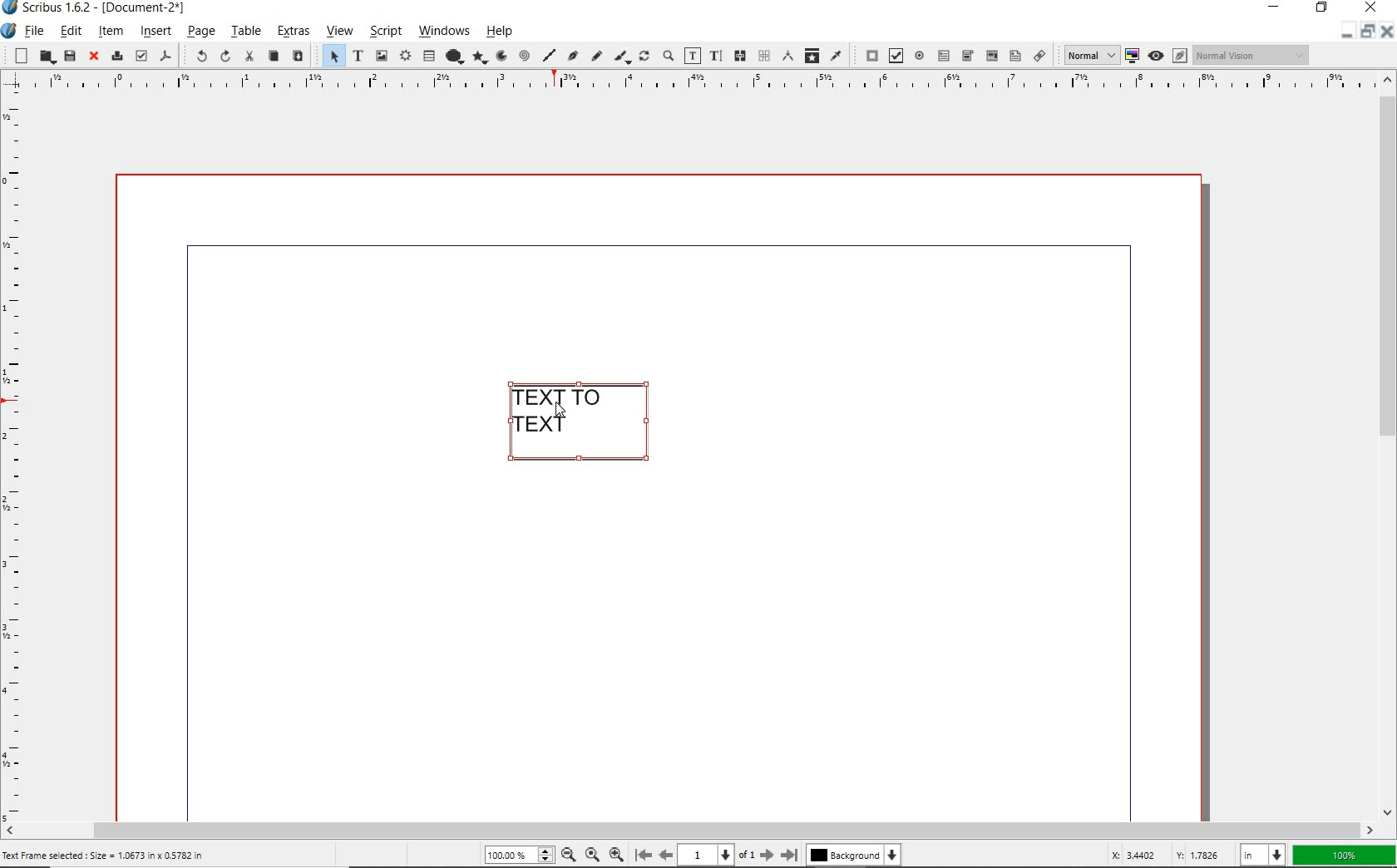 The height and width of the screenshot is (868, 1397). What do you see at coordinates (1388, 36) in the screenshot?
I see `close` at bounding box center [1388, 36].